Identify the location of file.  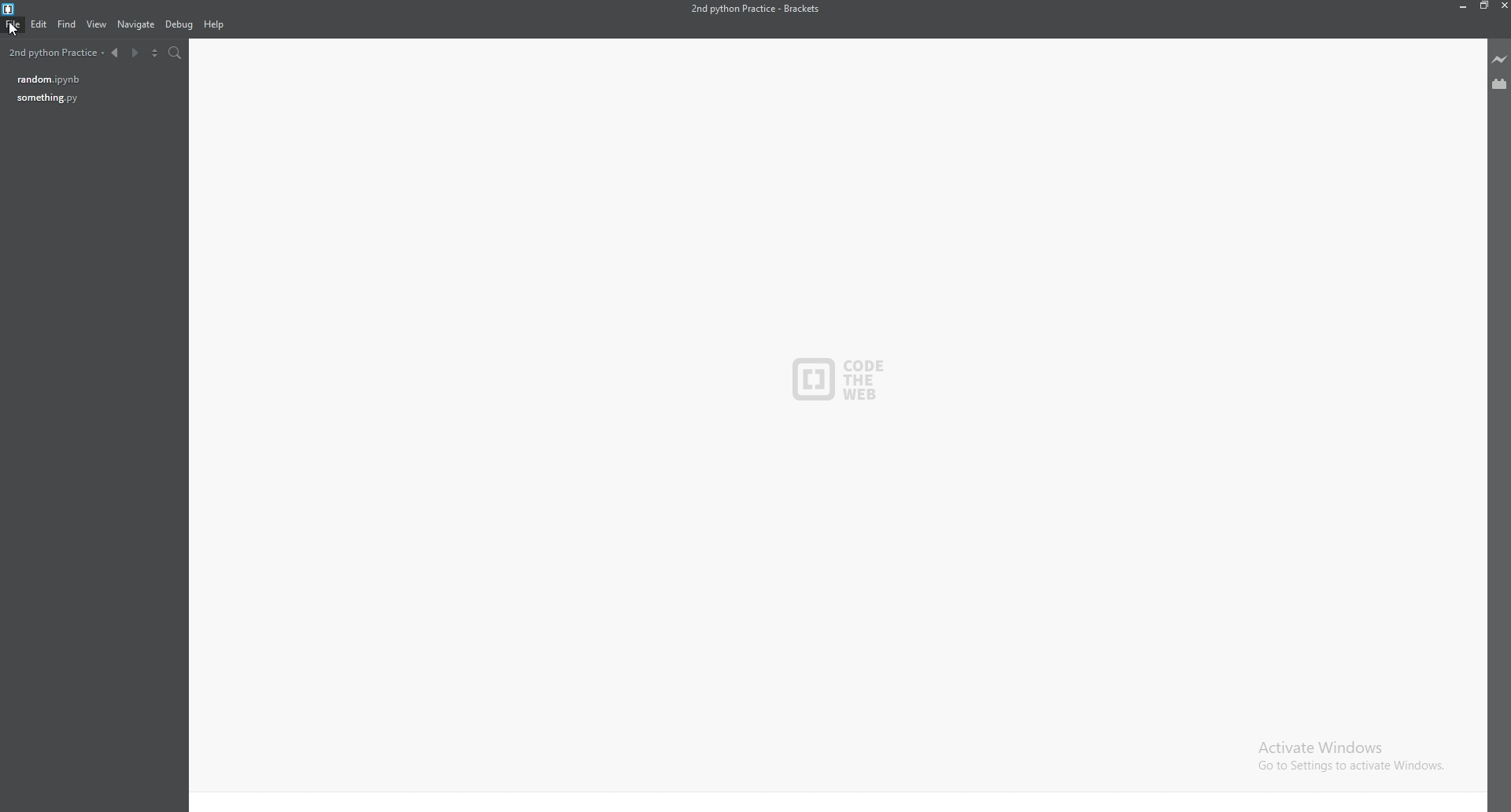
(13, 24).